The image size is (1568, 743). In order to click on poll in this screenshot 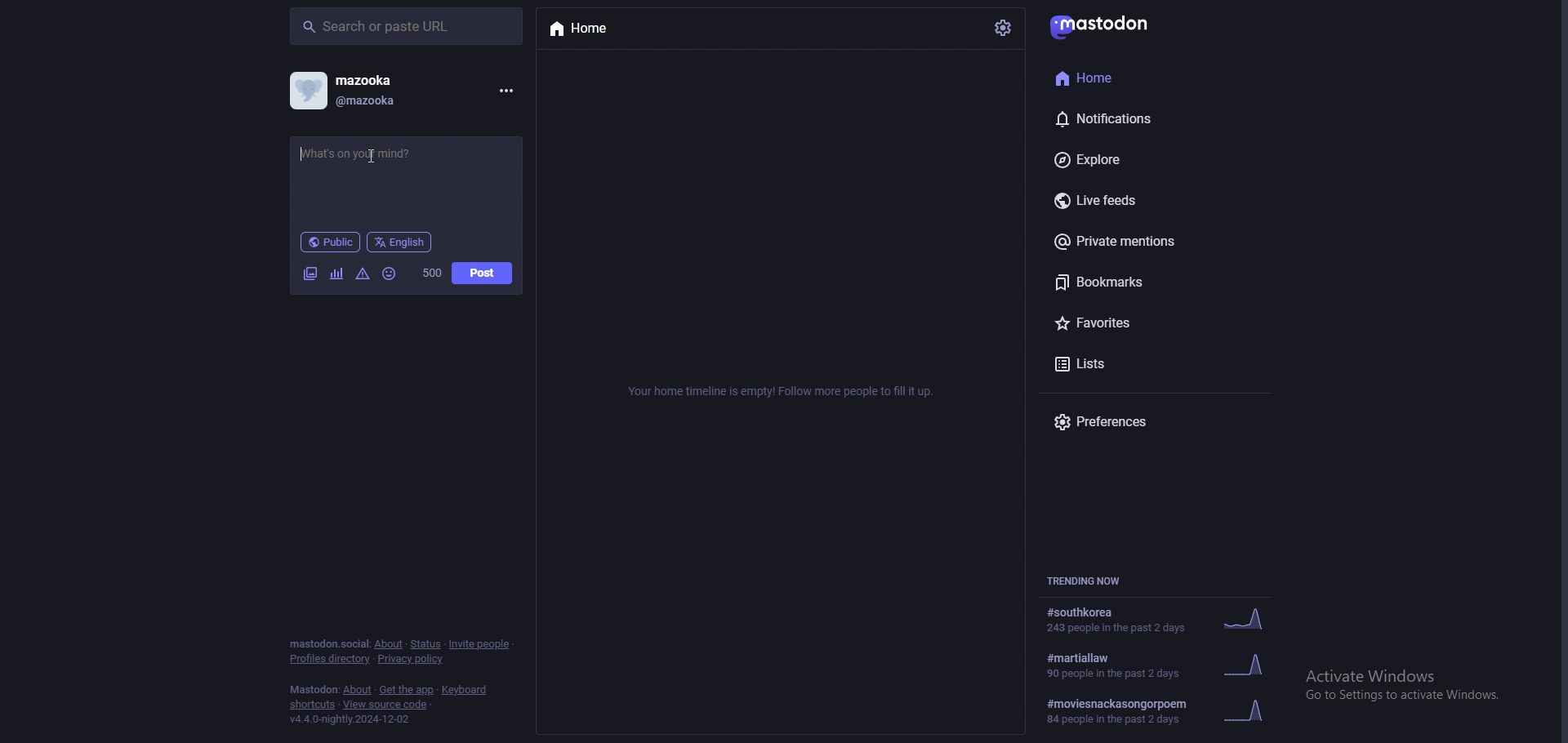, I will do `click(336, 274)`.